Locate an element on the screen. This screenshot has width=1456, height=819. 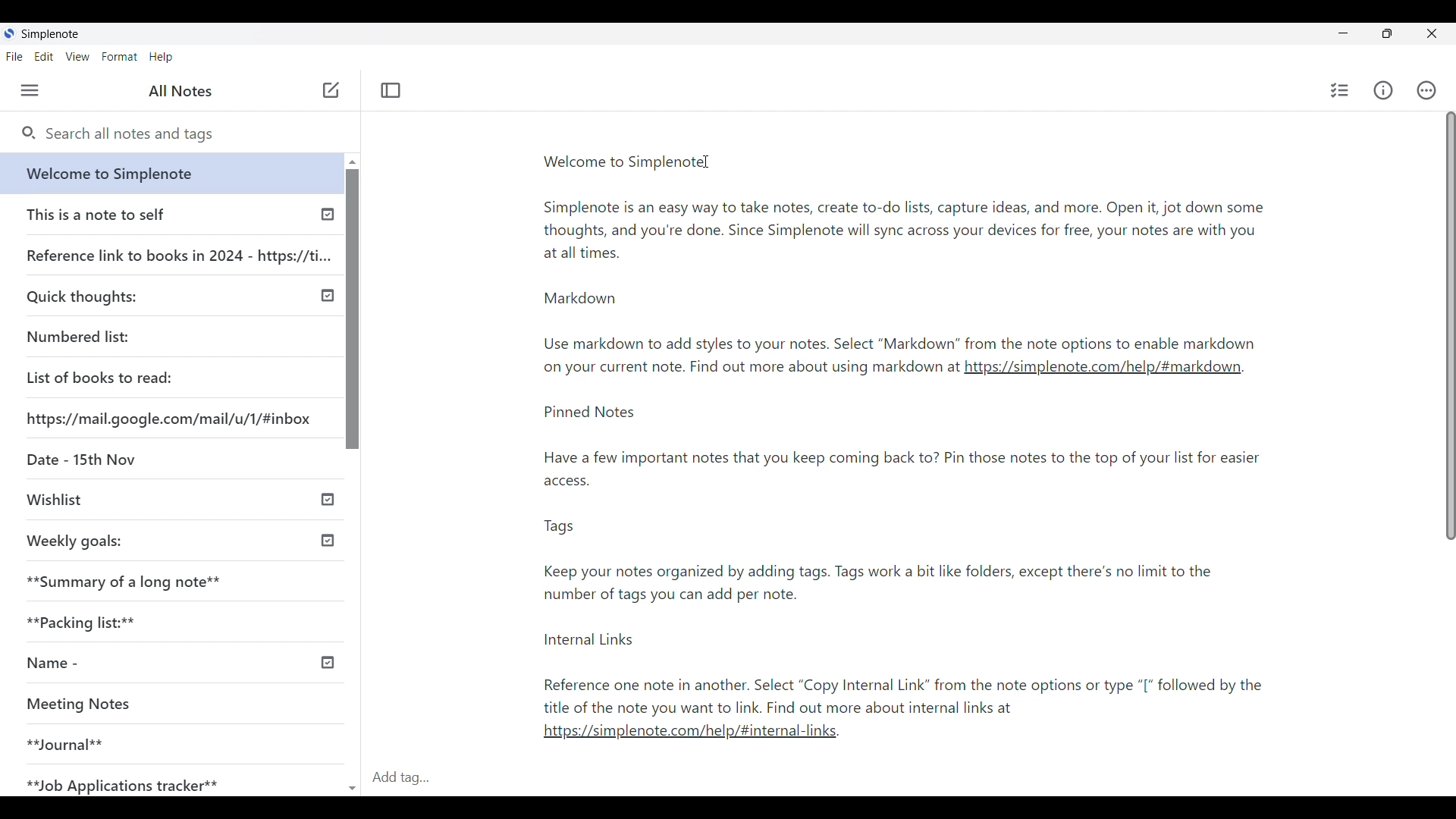
Check icon indicates published notes is located at coordinates (331, 661).